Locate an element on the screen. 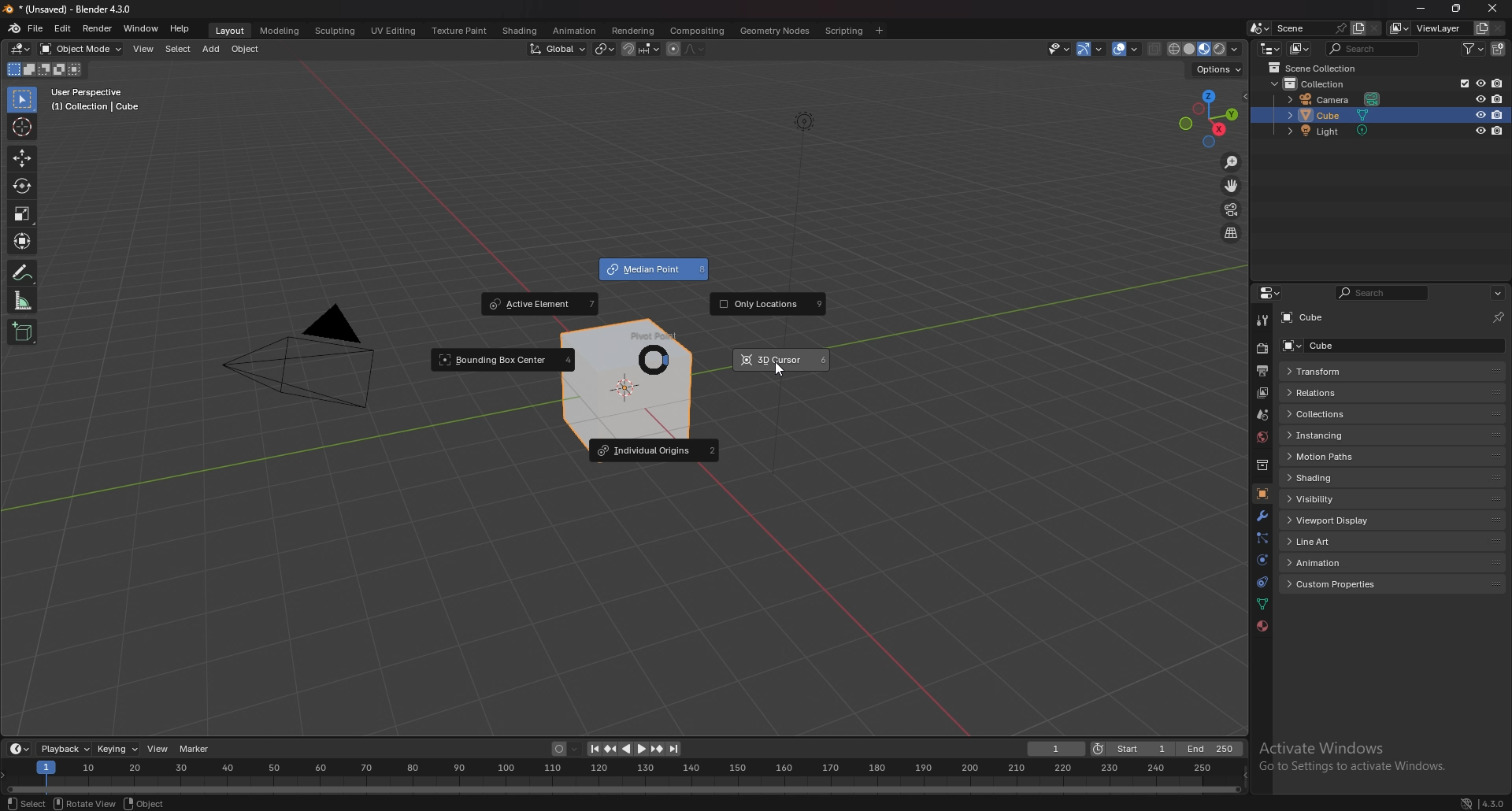 This screenshot has height=811, width=1512. add is located at coordinates (213, 49).